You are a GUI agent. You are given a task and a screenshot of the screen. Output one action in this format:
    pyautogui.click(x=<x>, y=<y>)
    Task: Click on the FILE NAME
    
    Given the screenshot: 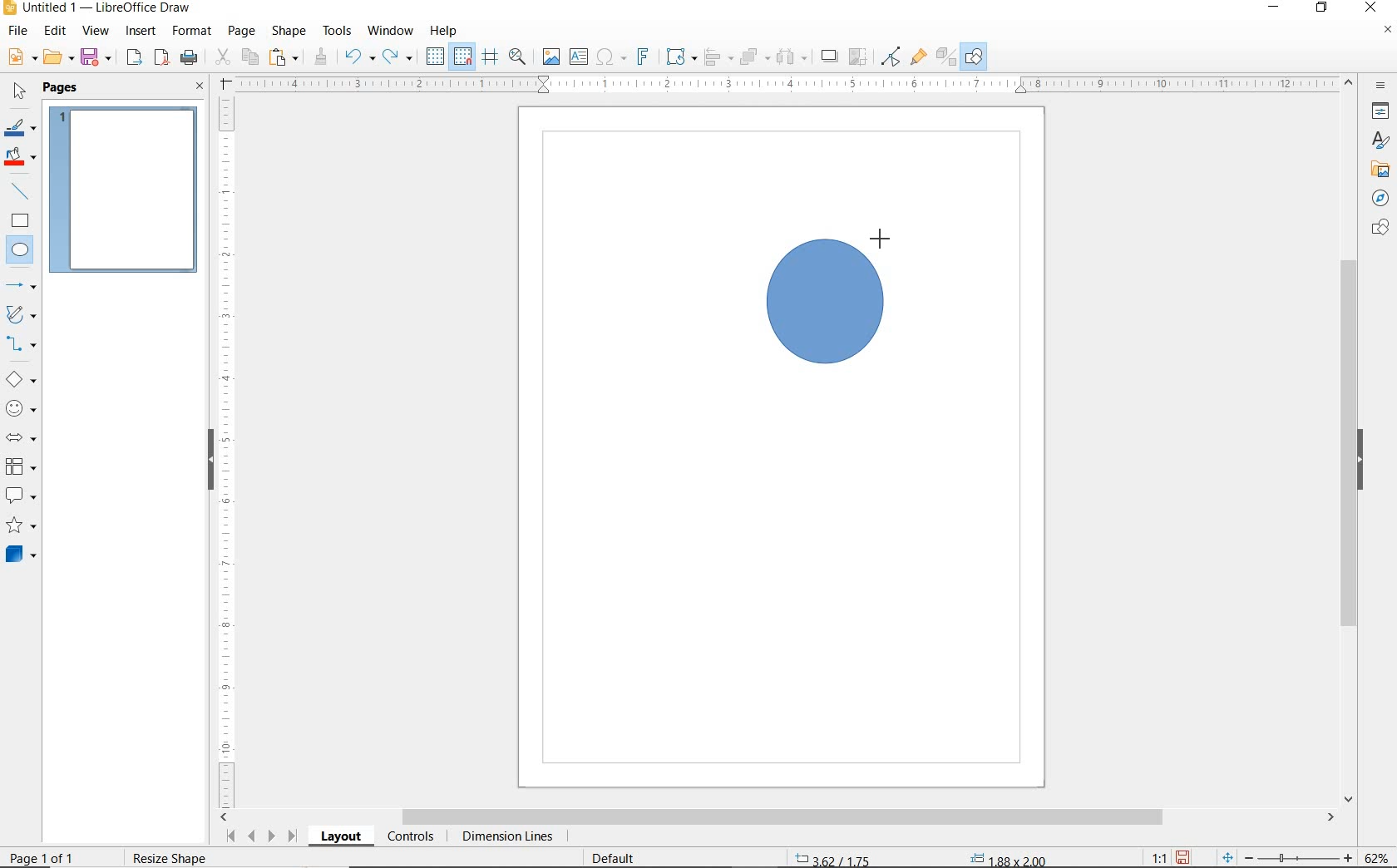 What is the action you would take?
    pyautogui.click(x=96, y=9)
    